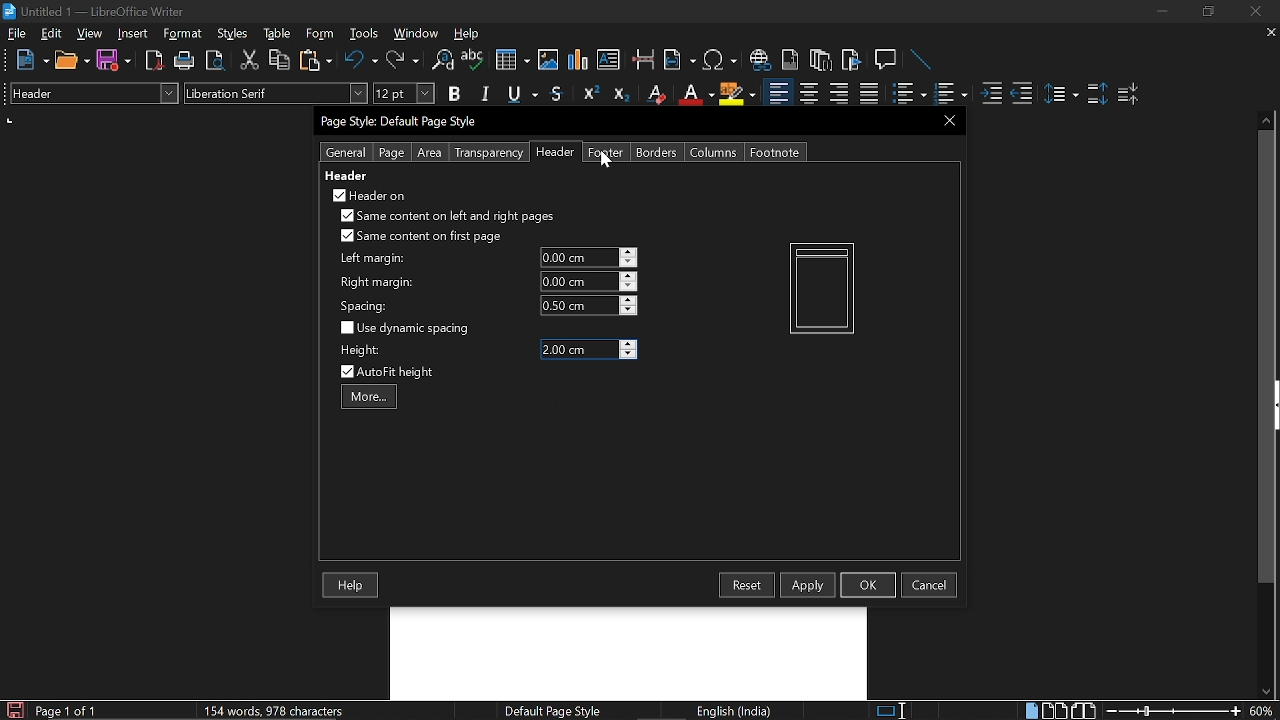  I want to click on decrease right margin, so click(629, 288).